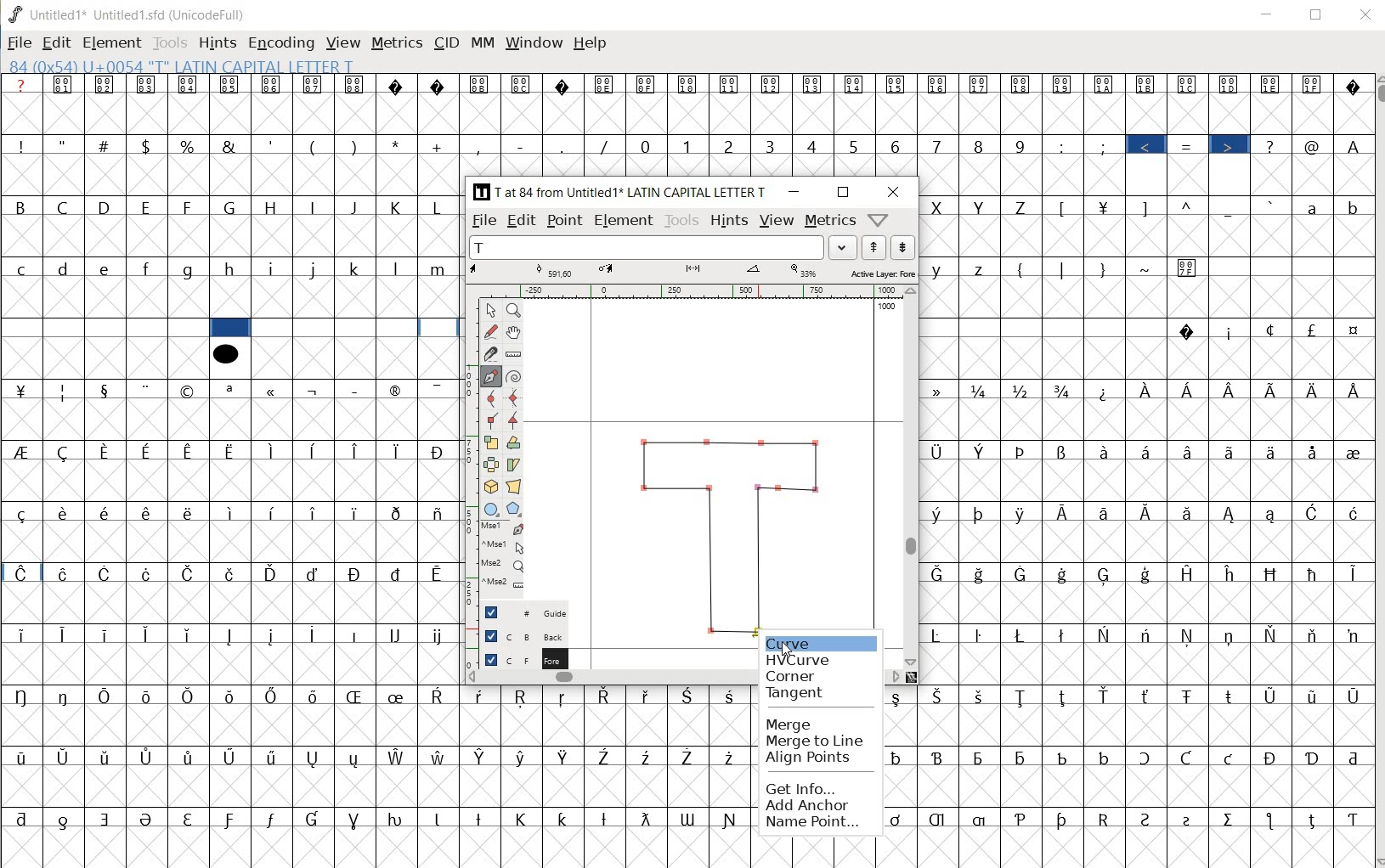  I want to click on X, so click(940, 207).